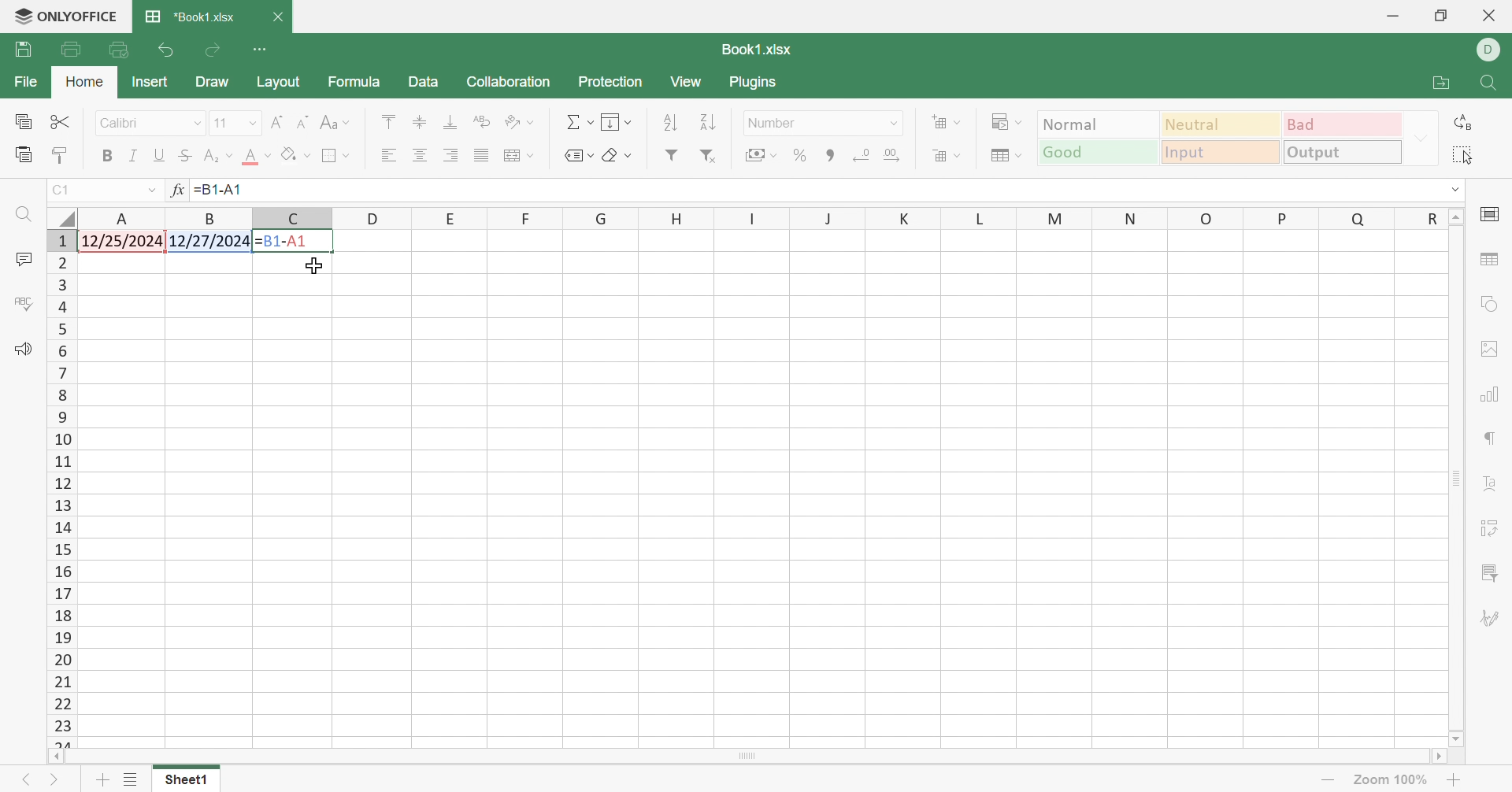 The height and width of the screenshot is (792, 1512). I want to click on Draw, so click(210, 80).